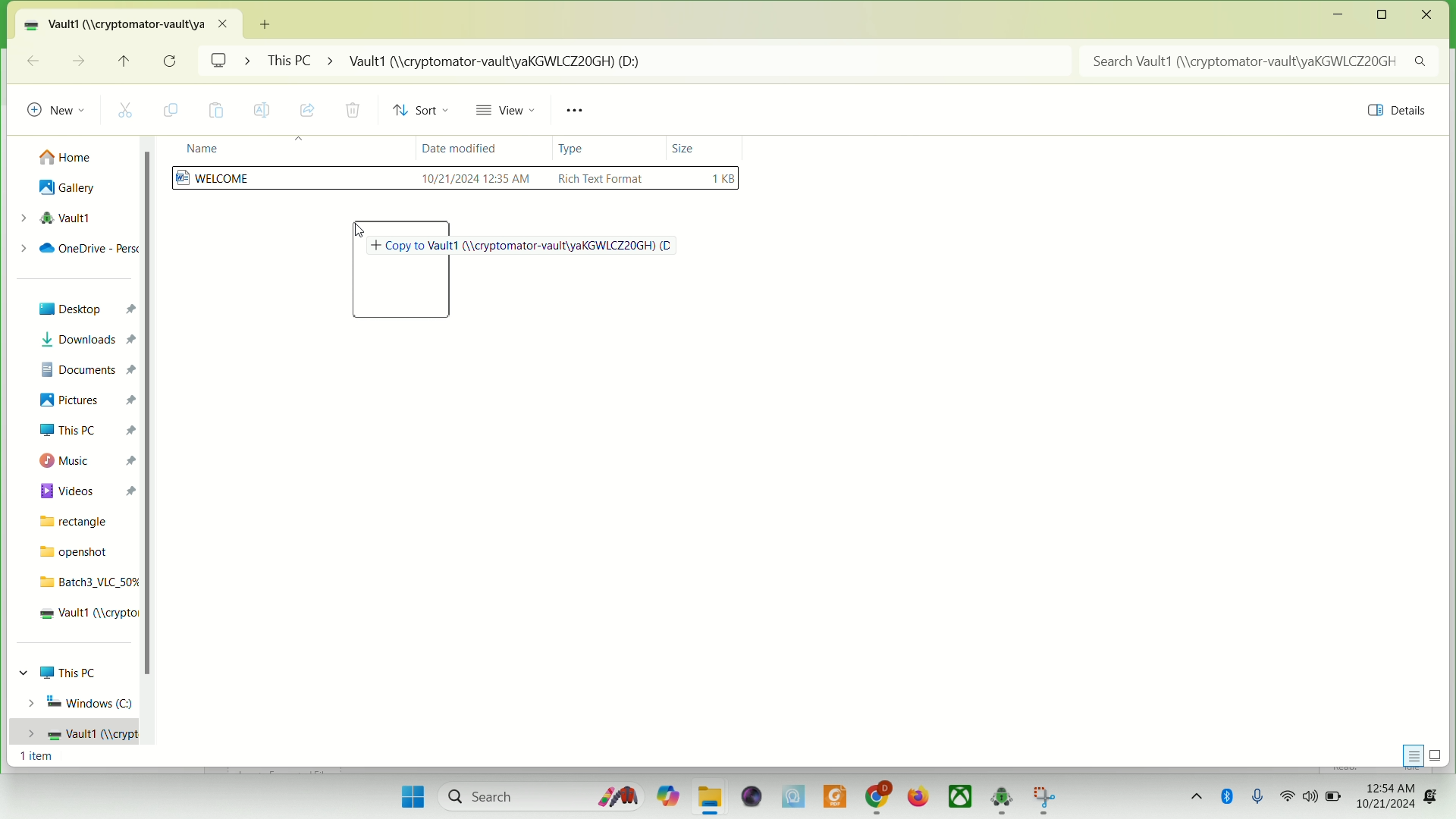  I want to click on home, so click(67, 153).